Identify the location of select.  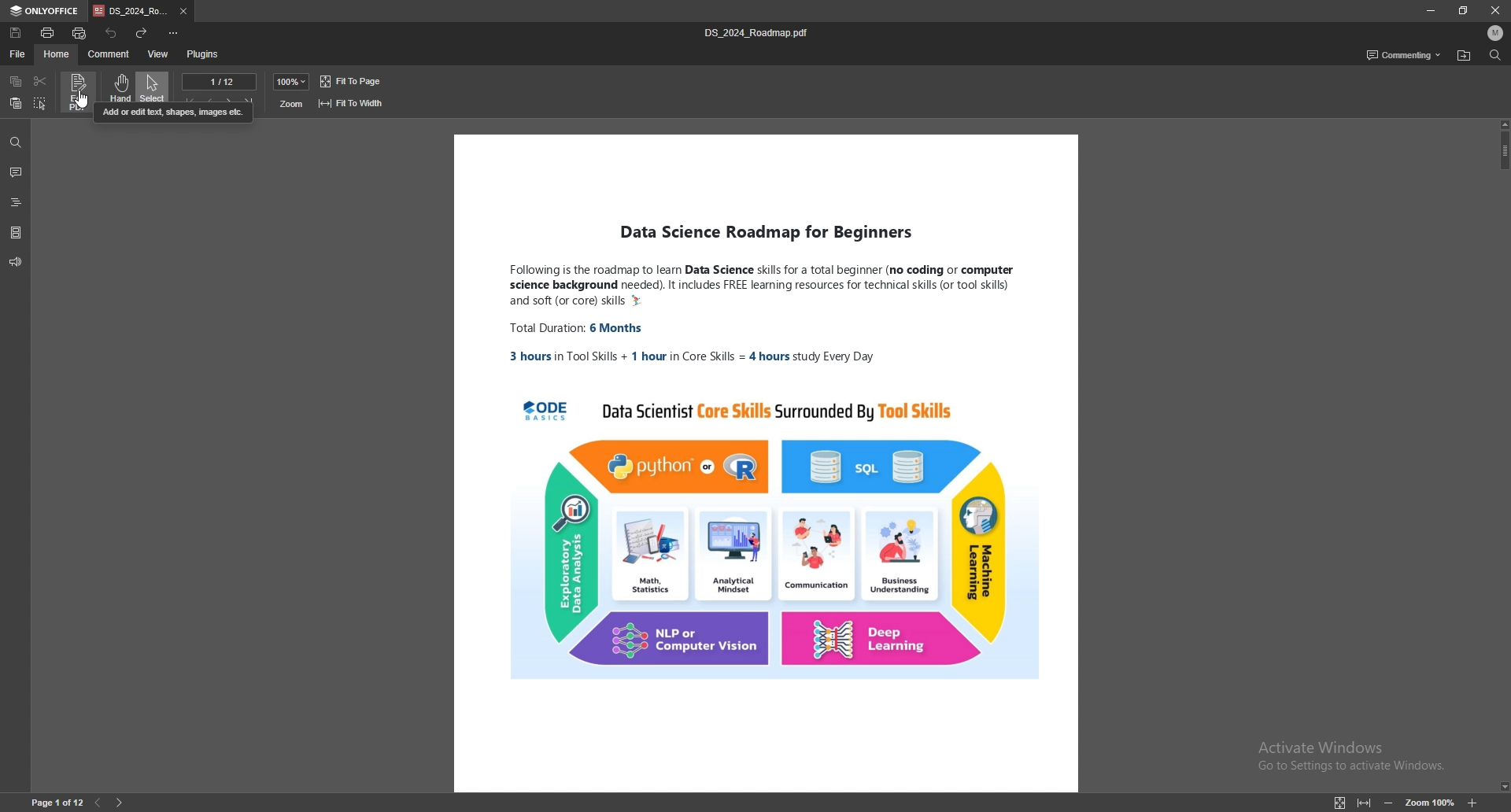
(41, 103).